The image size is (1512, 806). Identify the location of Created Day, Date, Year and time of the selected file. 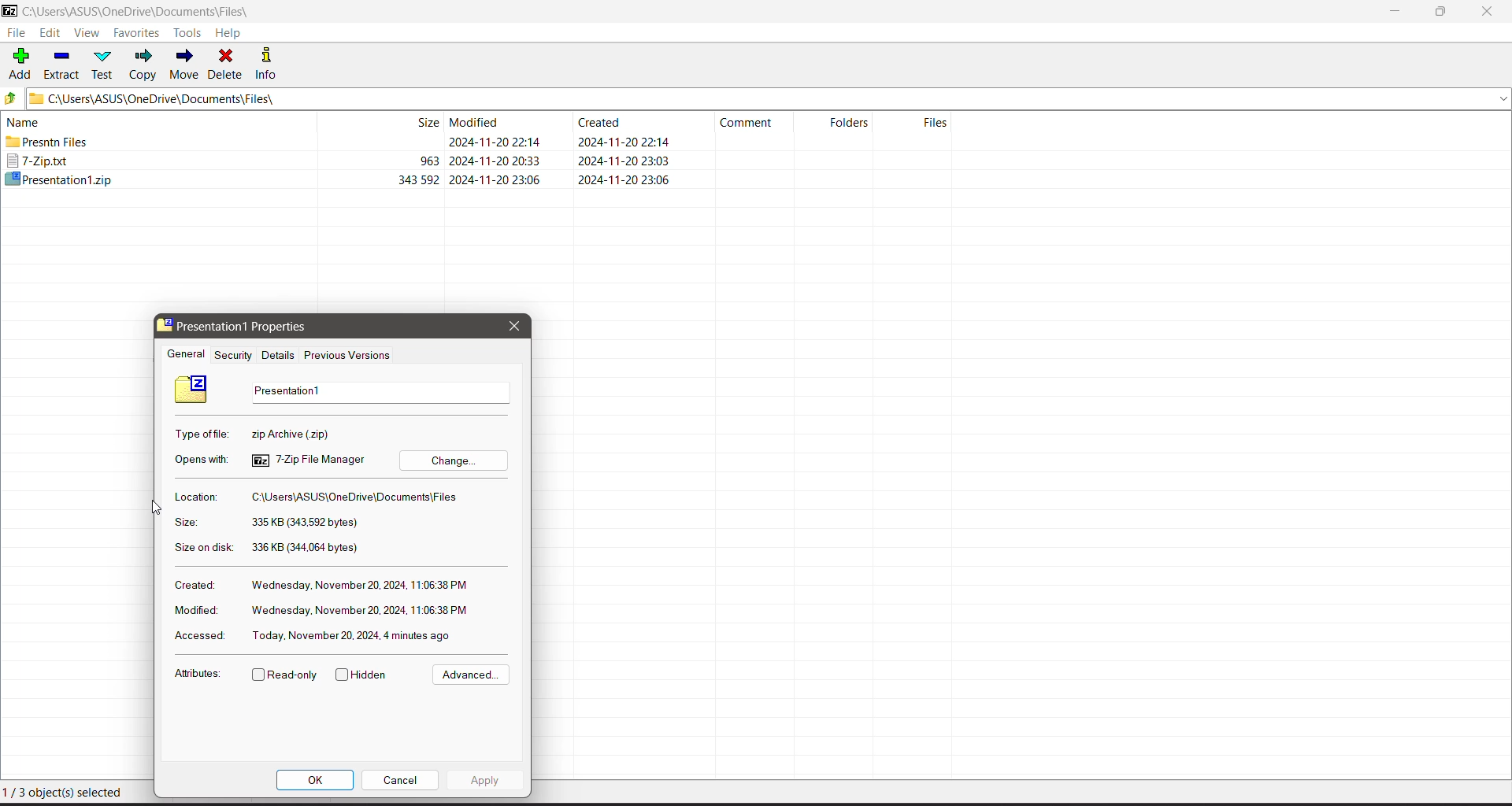
(360, 586).